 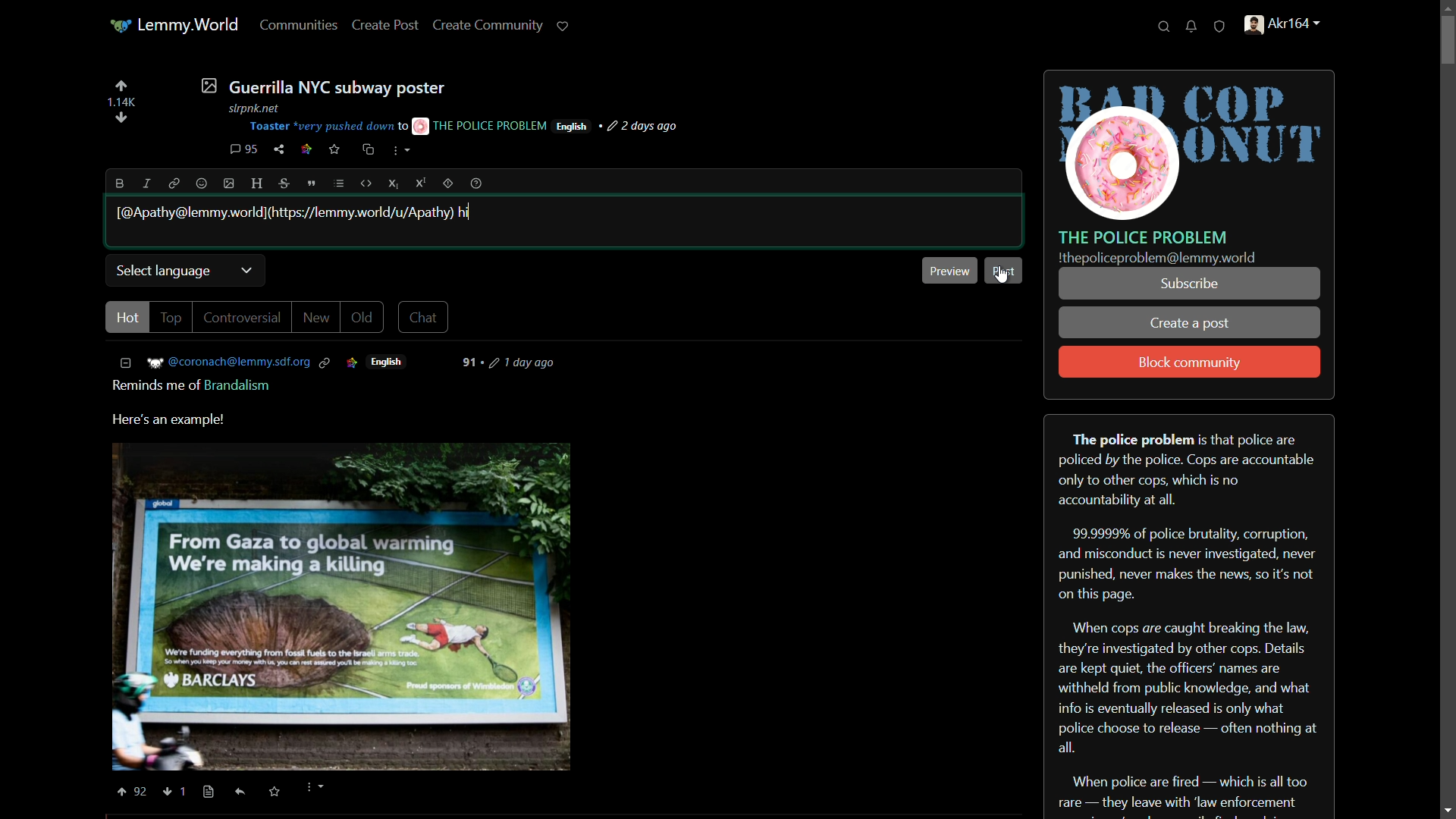 I want to click on , so click(x=209, y=792).